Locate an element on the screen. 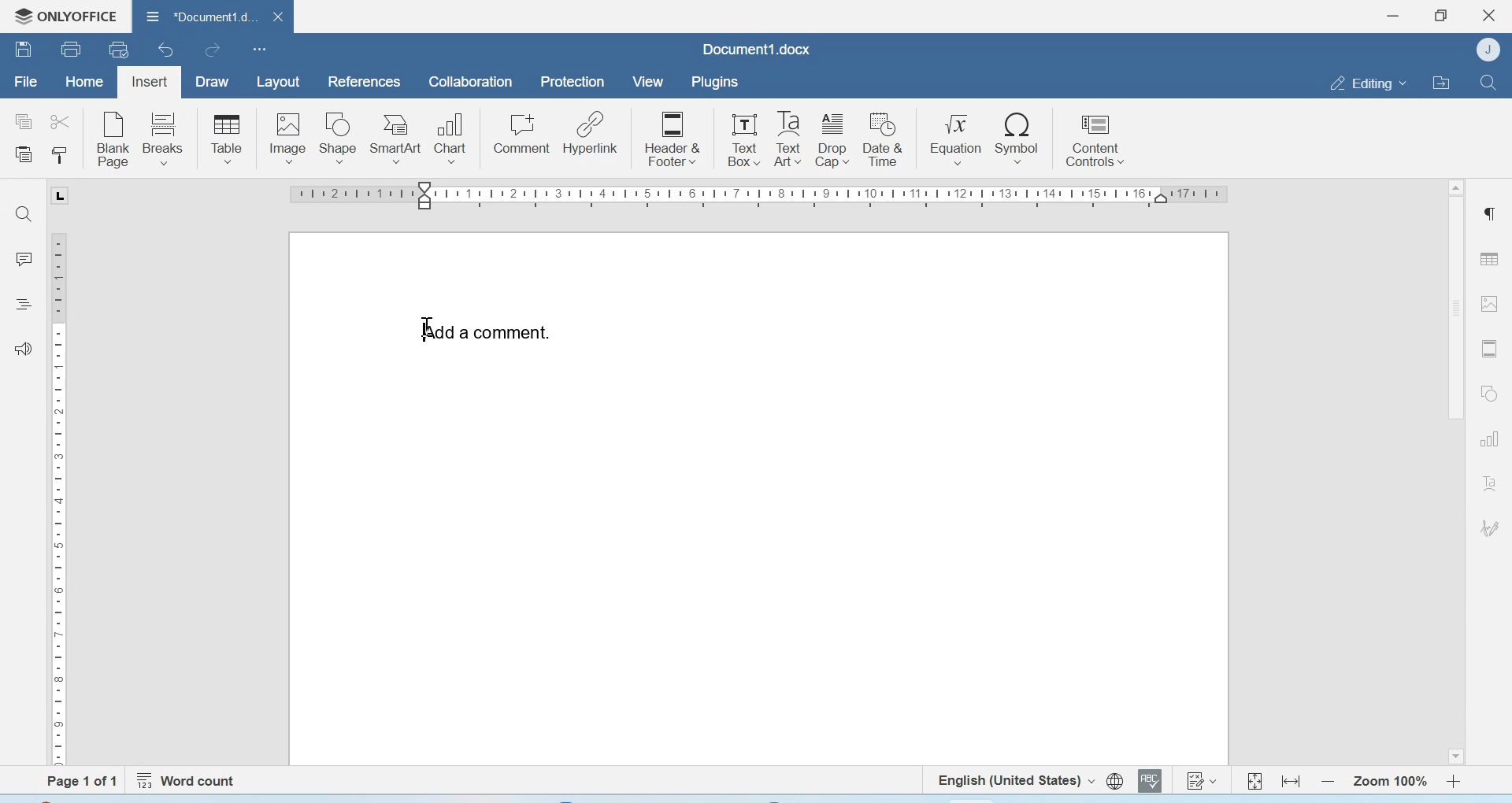 This screenshot has width=1512, height=803. Symbol is located at coordinates (1018, 137).